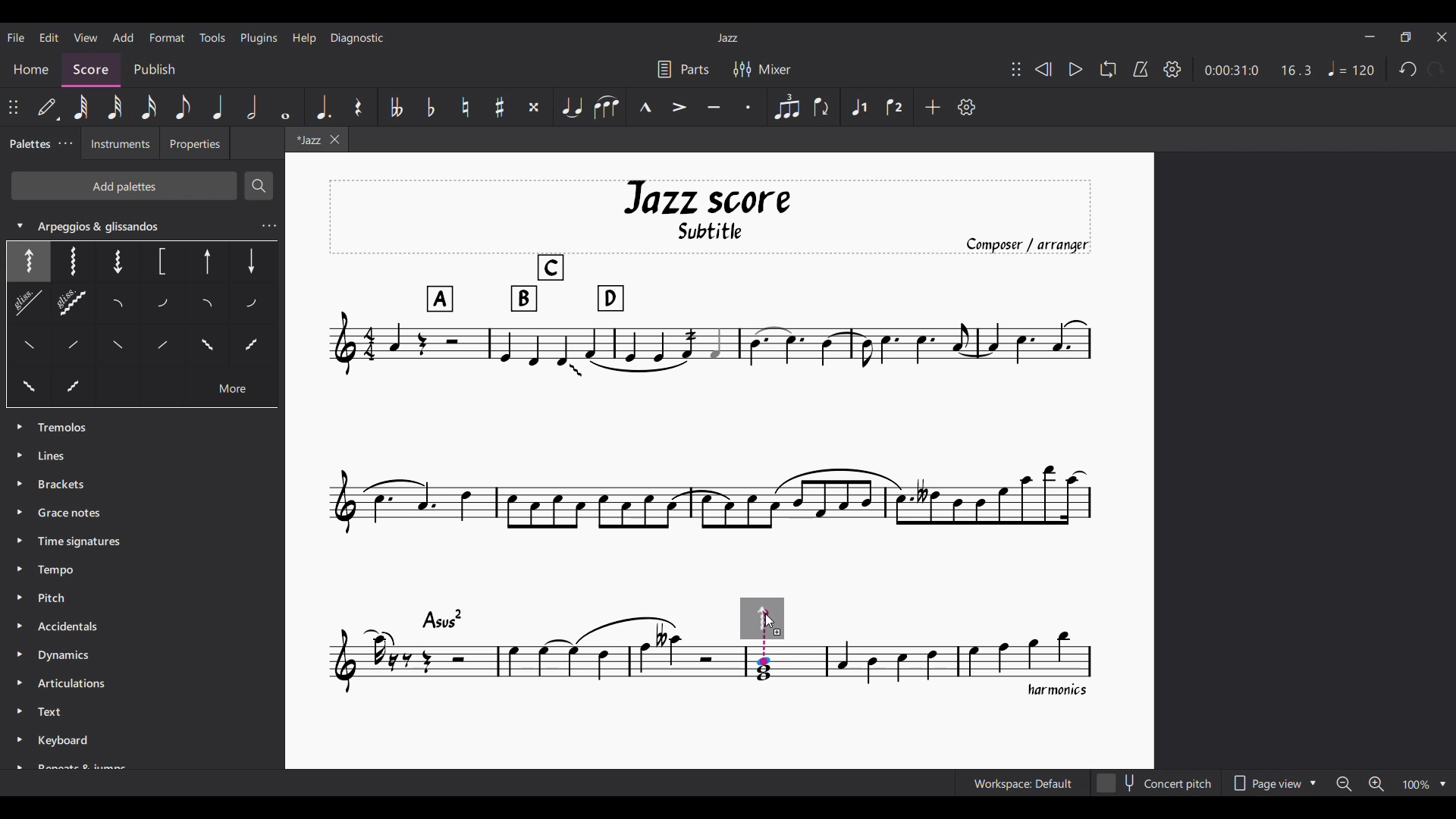 Image resolution: width=1456 pixels, height=819 pixels. Describe the element at coordinates (646, 106) in the screenshot. I see `Marcato` at that location.